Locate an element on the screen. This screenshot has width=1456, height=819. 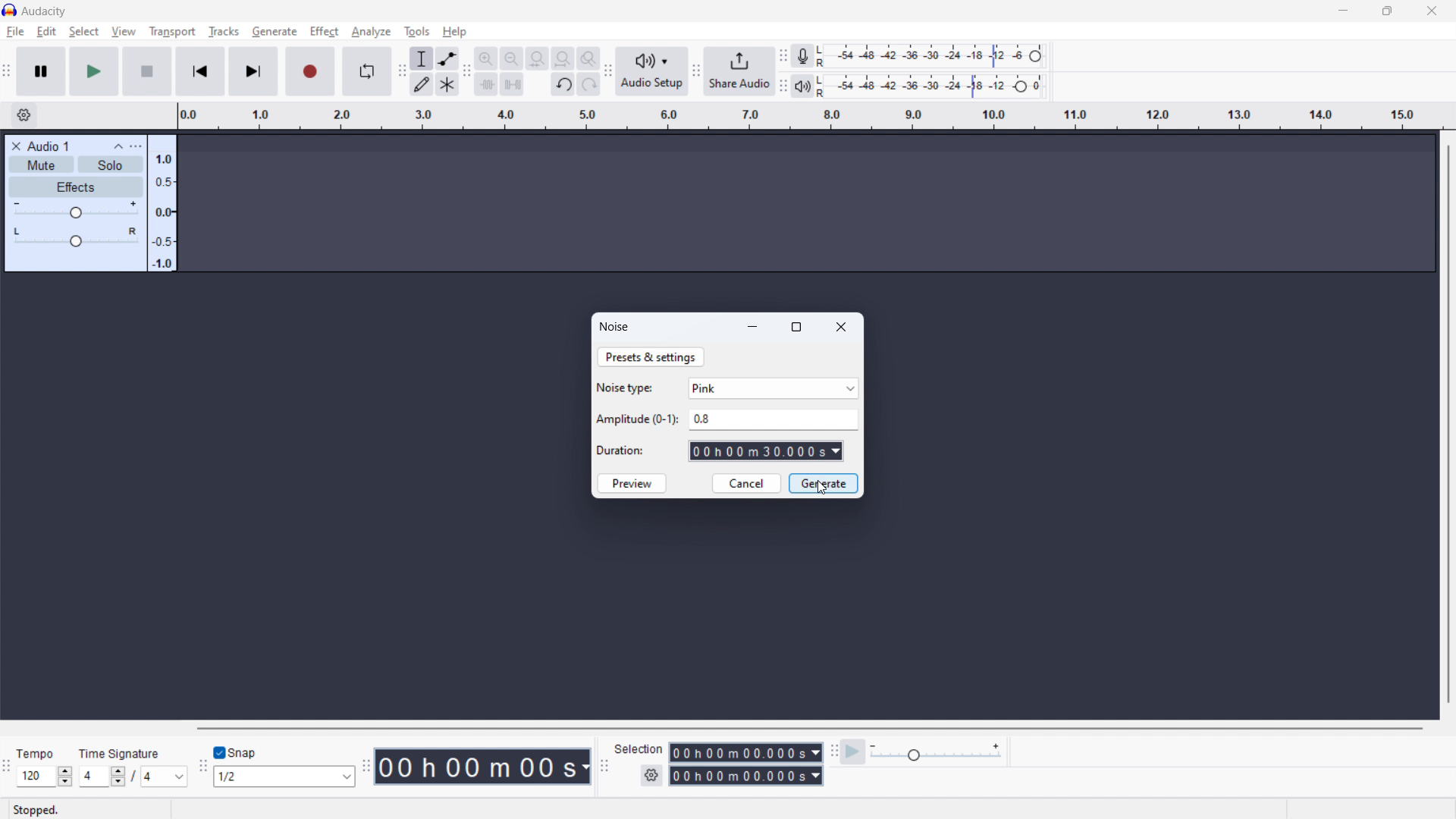
Amplitude is located at coordinates (637, 419).